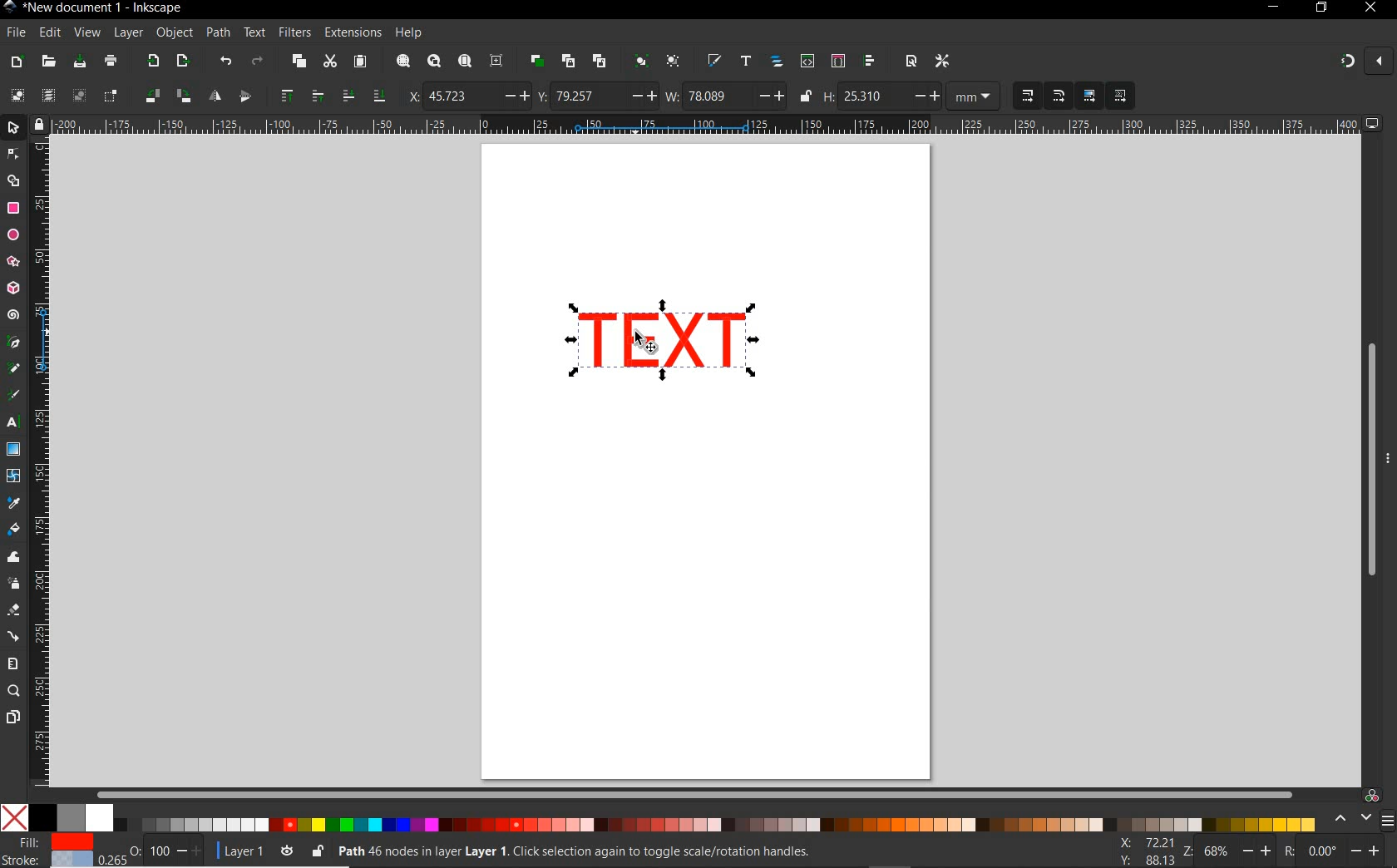 This screenshot has height=868, width=1397. Describe the element at coordinates (329, 62) in the screenshot. I see `CUT` at that location.